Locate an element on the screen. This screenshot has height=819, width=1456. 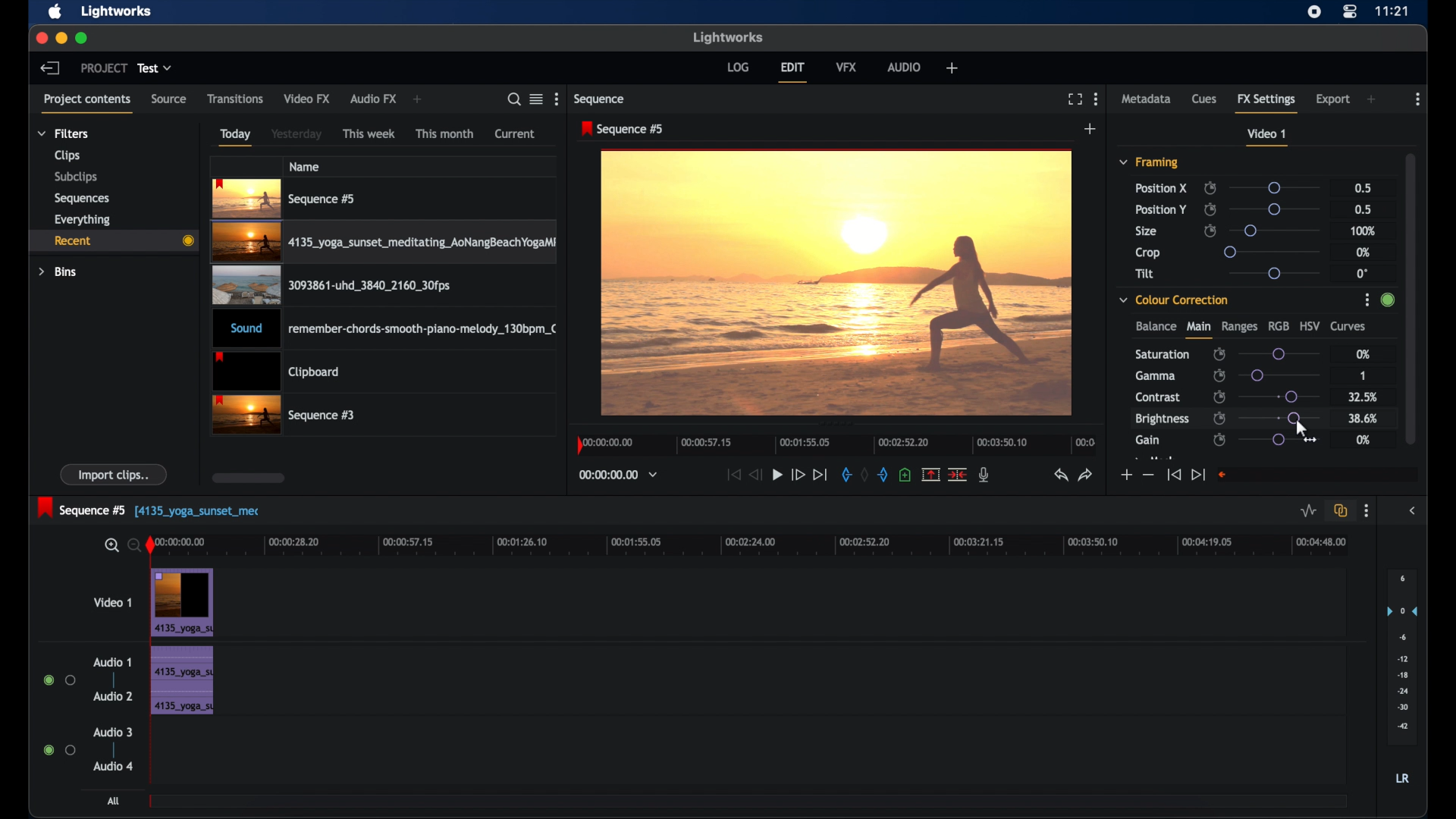
slider is located at coordinates (1278, 354).